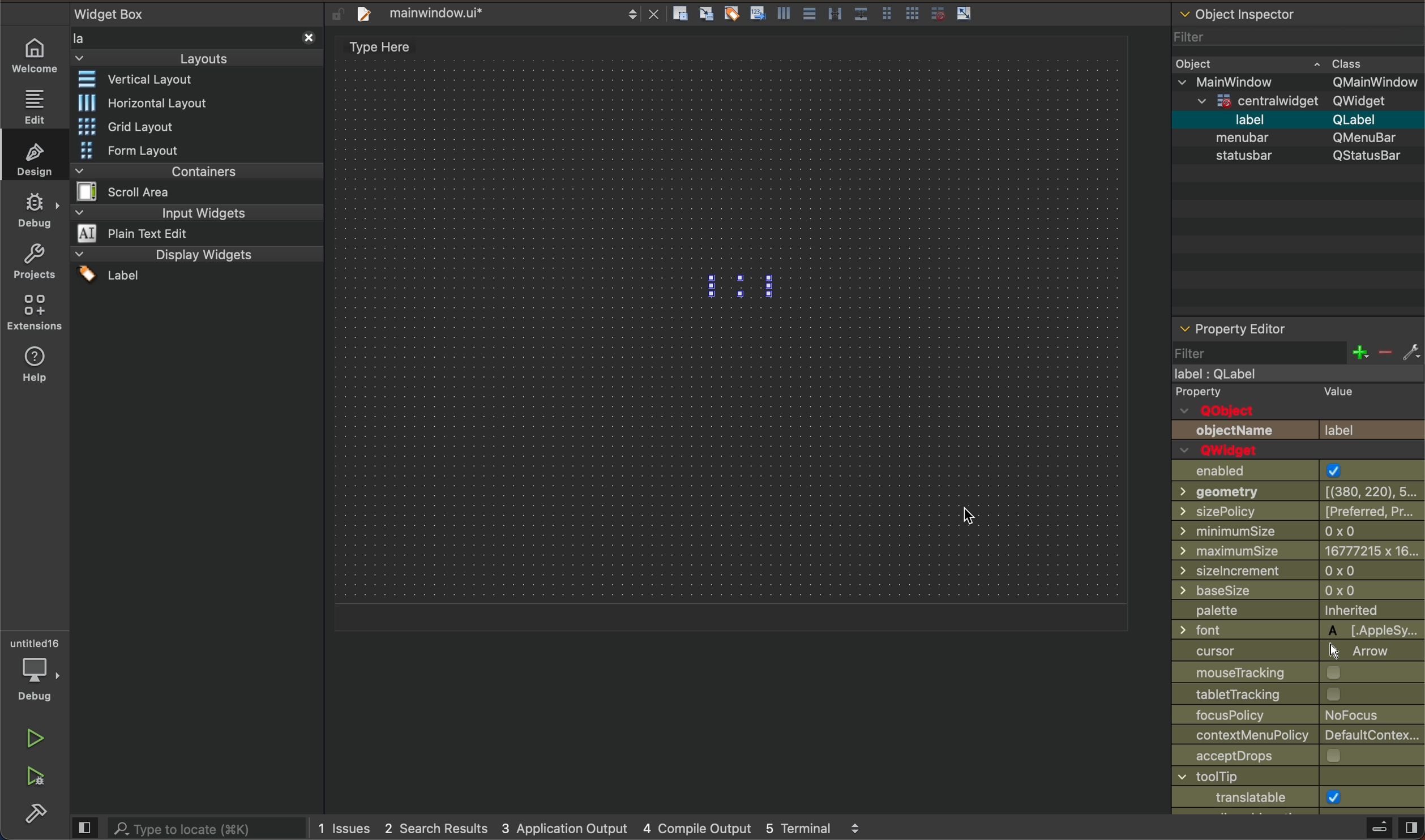 The width and height of the screenshot is (1425, 840). What do you see at coordinates (37, 265) in the screenshot?
I see `projects` at bounding box center [37, 265].